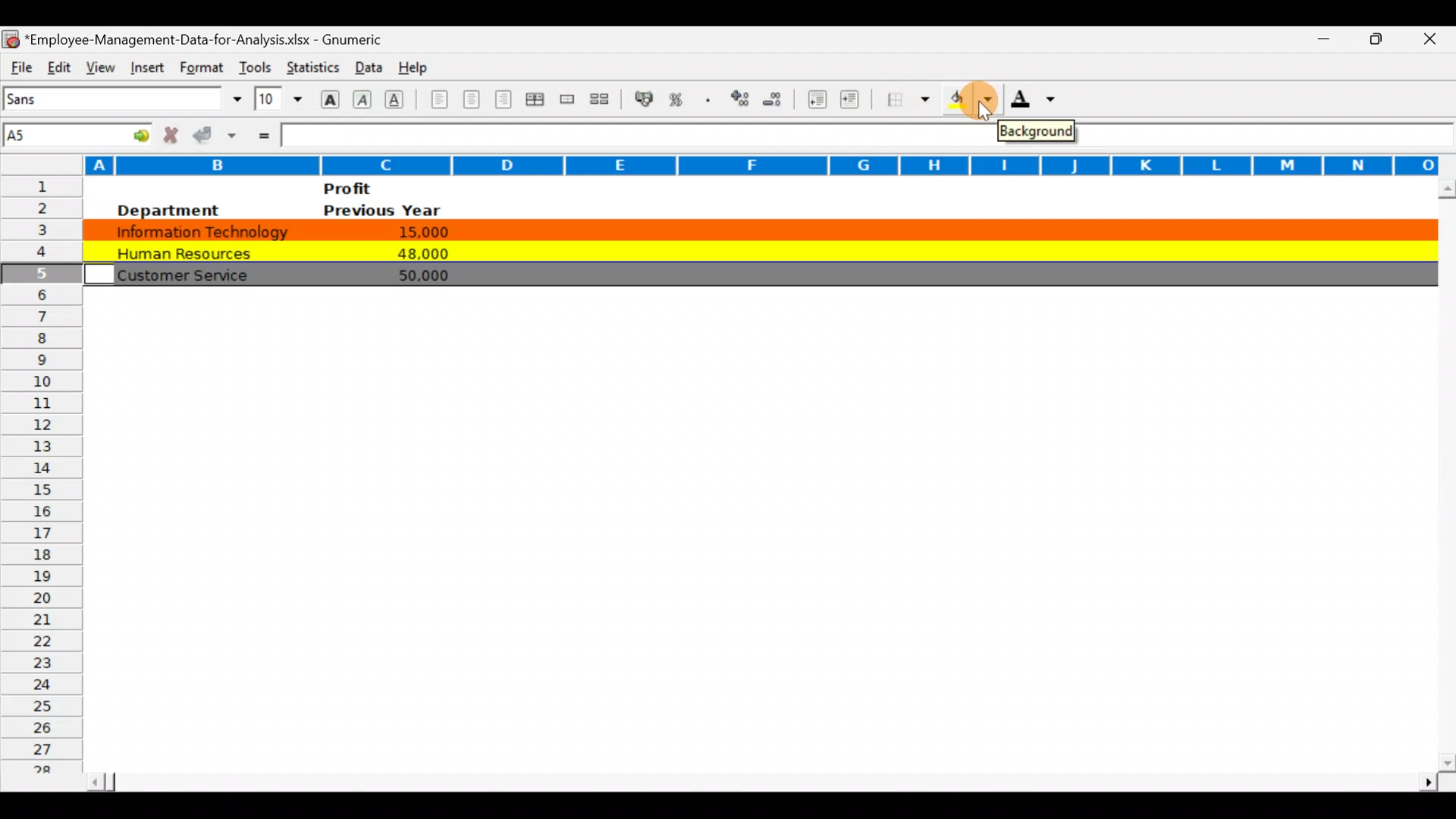 This screenshot has height=819, width=1456. Describe the element at coordinates (506, 99) in the screenshot. I see `Align right` at that location.